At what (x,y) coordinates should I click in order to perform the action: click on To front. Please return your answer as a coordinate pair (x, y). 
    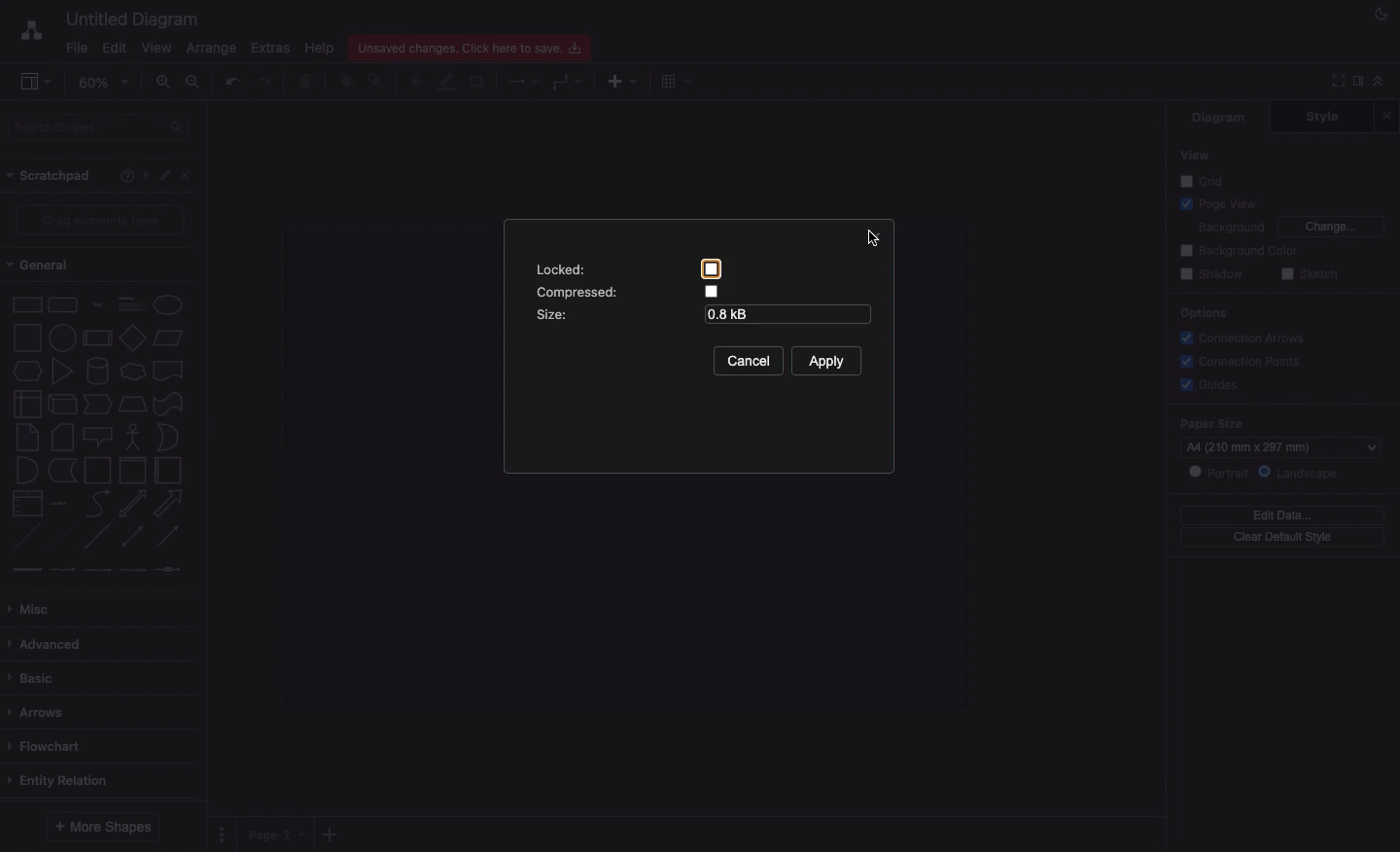
    Looking at the image, I should click on (345, 83).